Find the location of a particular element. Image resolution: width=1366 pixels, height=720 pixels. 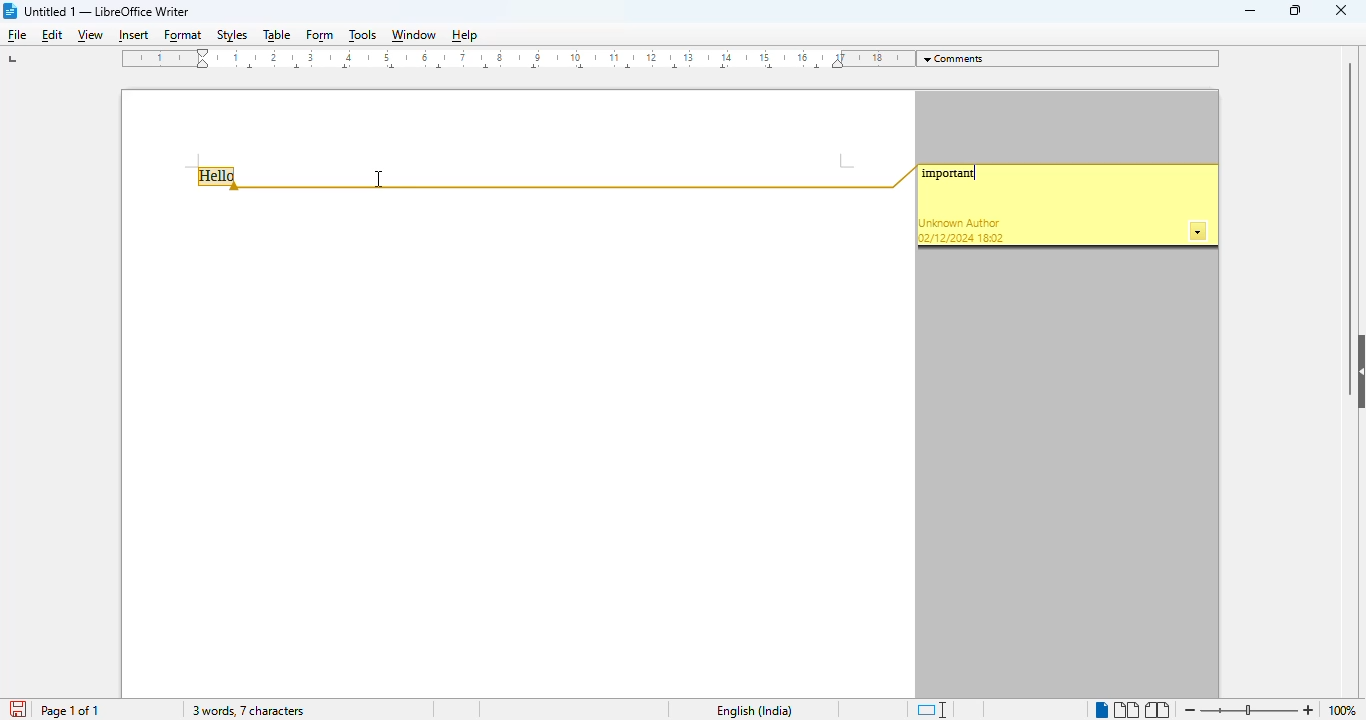

single-page view is located at coordinates (1101, 711).